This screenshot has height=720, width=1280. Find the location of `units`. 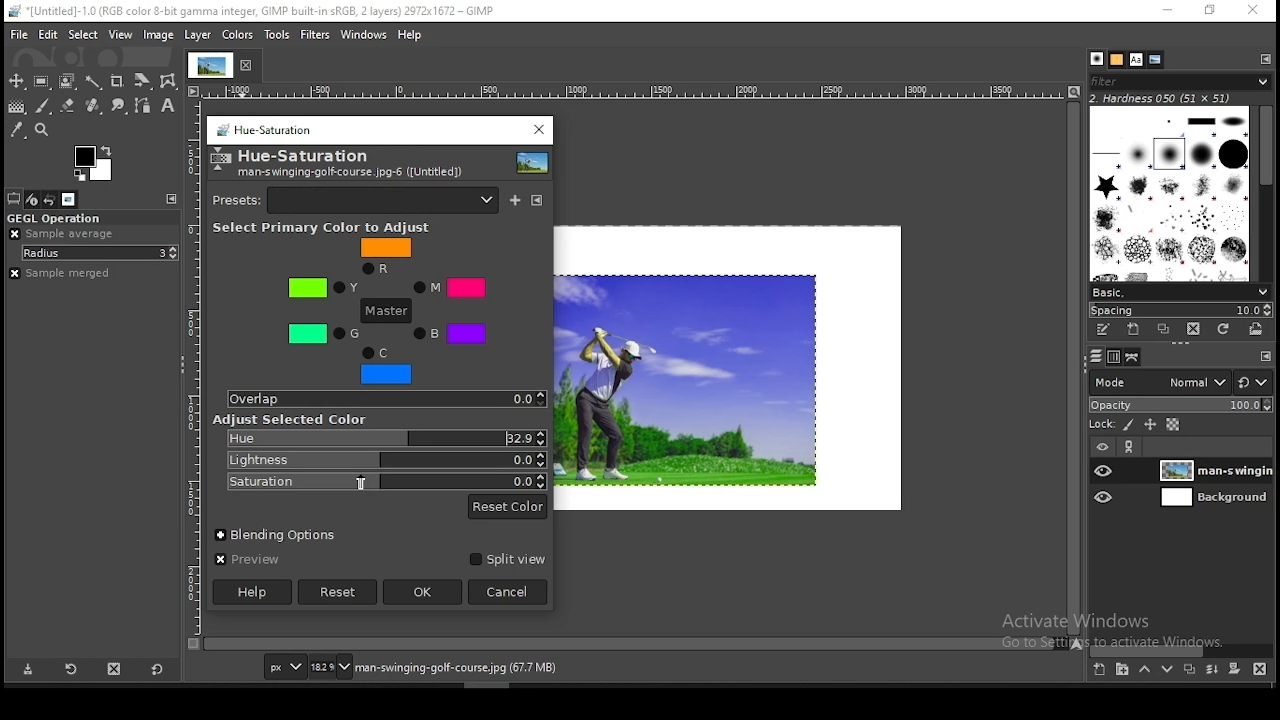

units is located at coordinates (288, 667).